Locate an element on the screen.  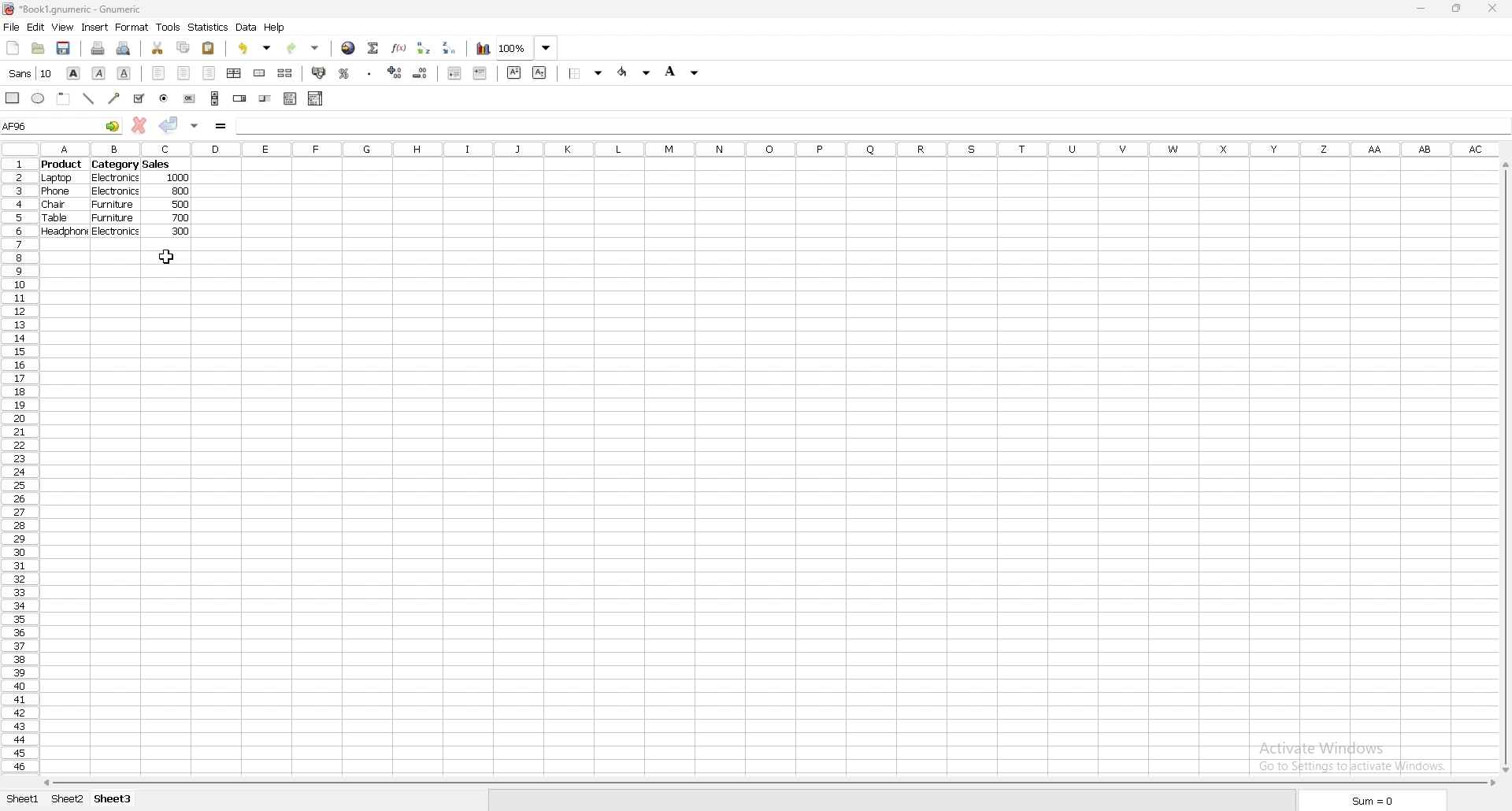
undo is located at coordinates (254, 47).